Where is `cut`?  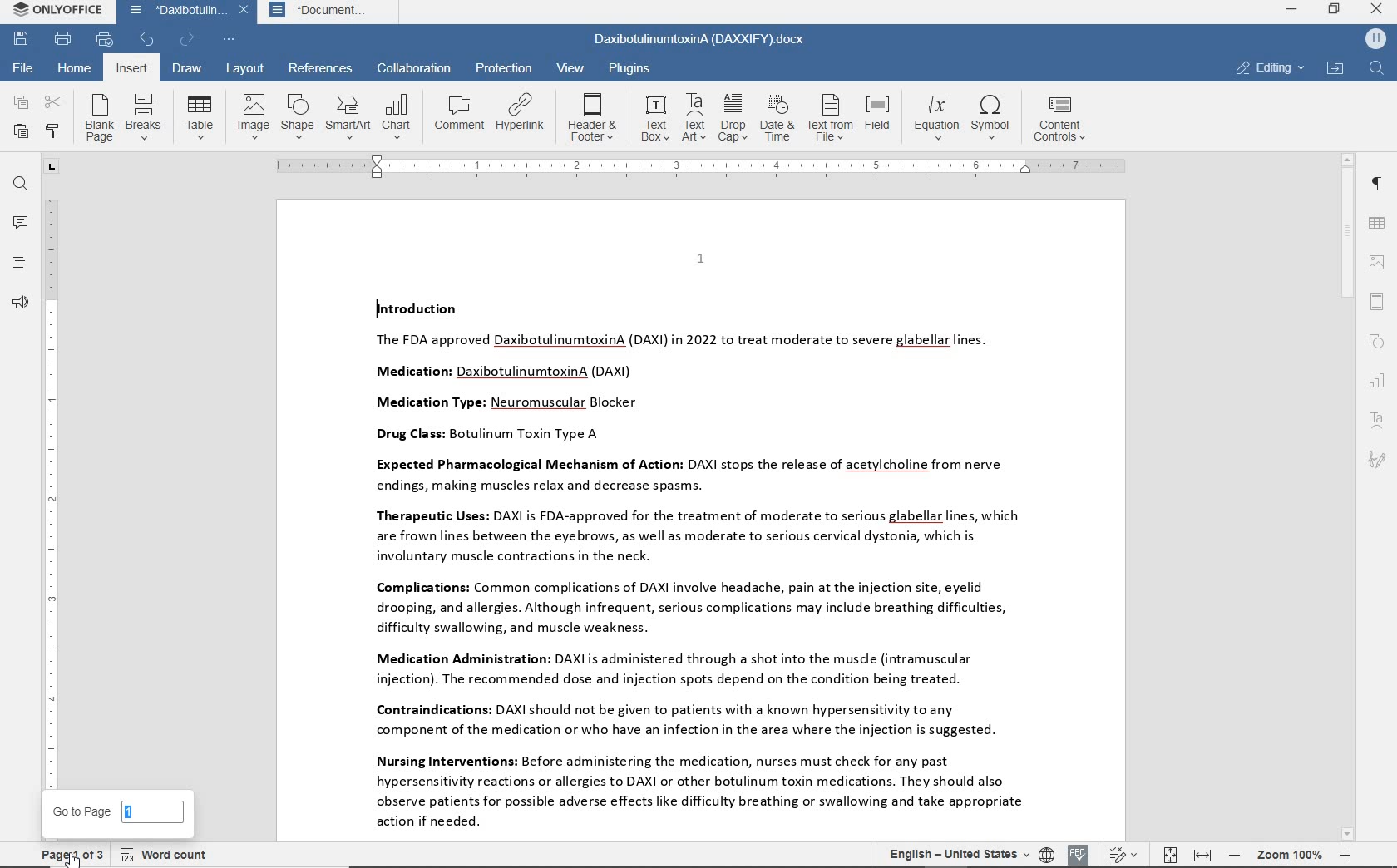 cut is located at coordinates (53, 102).